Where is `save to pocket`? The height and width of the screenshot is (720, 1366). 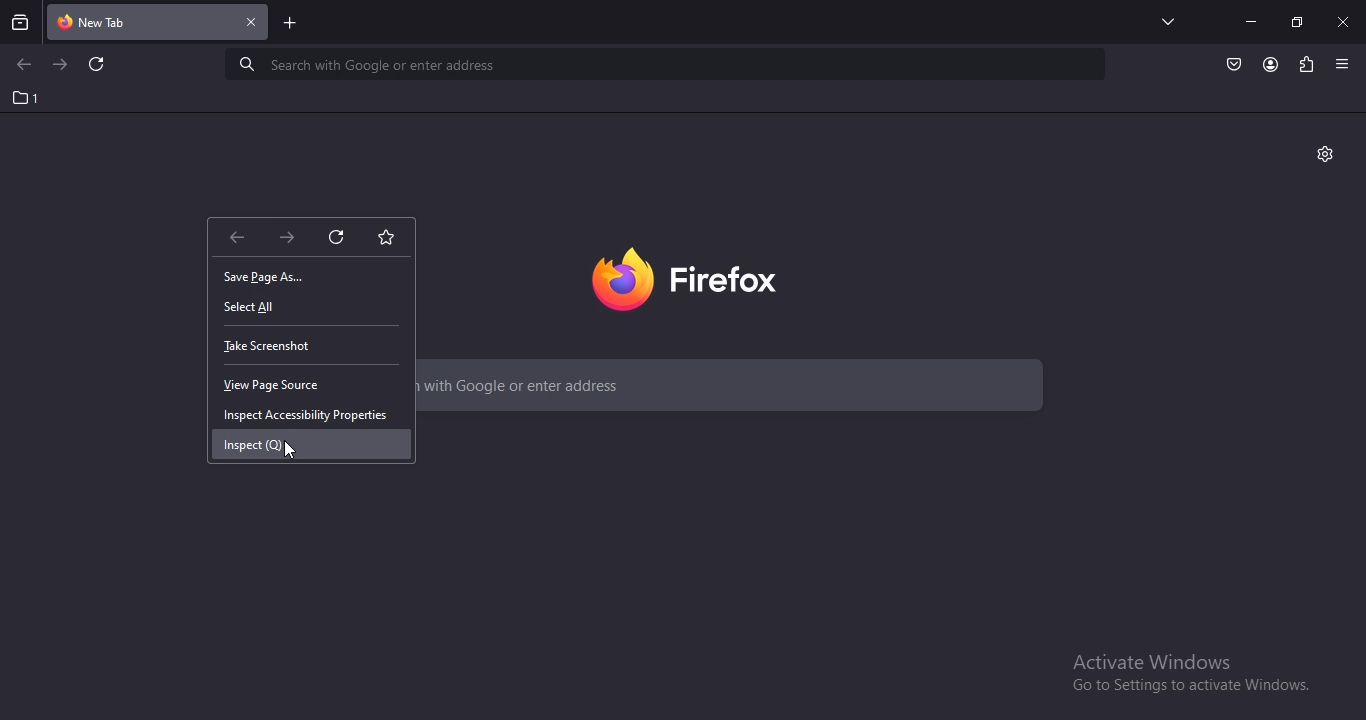
save to pocket is located at coordinates (1235, 63).